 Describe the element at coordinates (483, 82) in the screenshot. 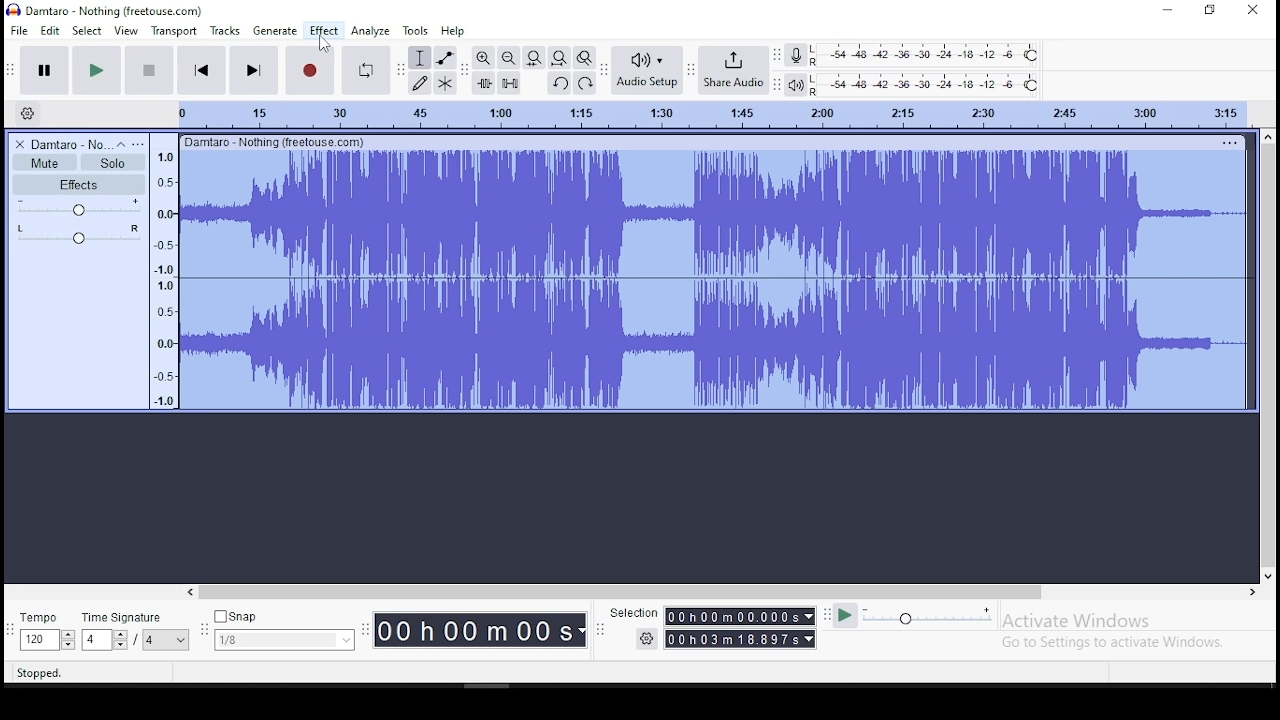

I see `trim audio outside selection` at that location.